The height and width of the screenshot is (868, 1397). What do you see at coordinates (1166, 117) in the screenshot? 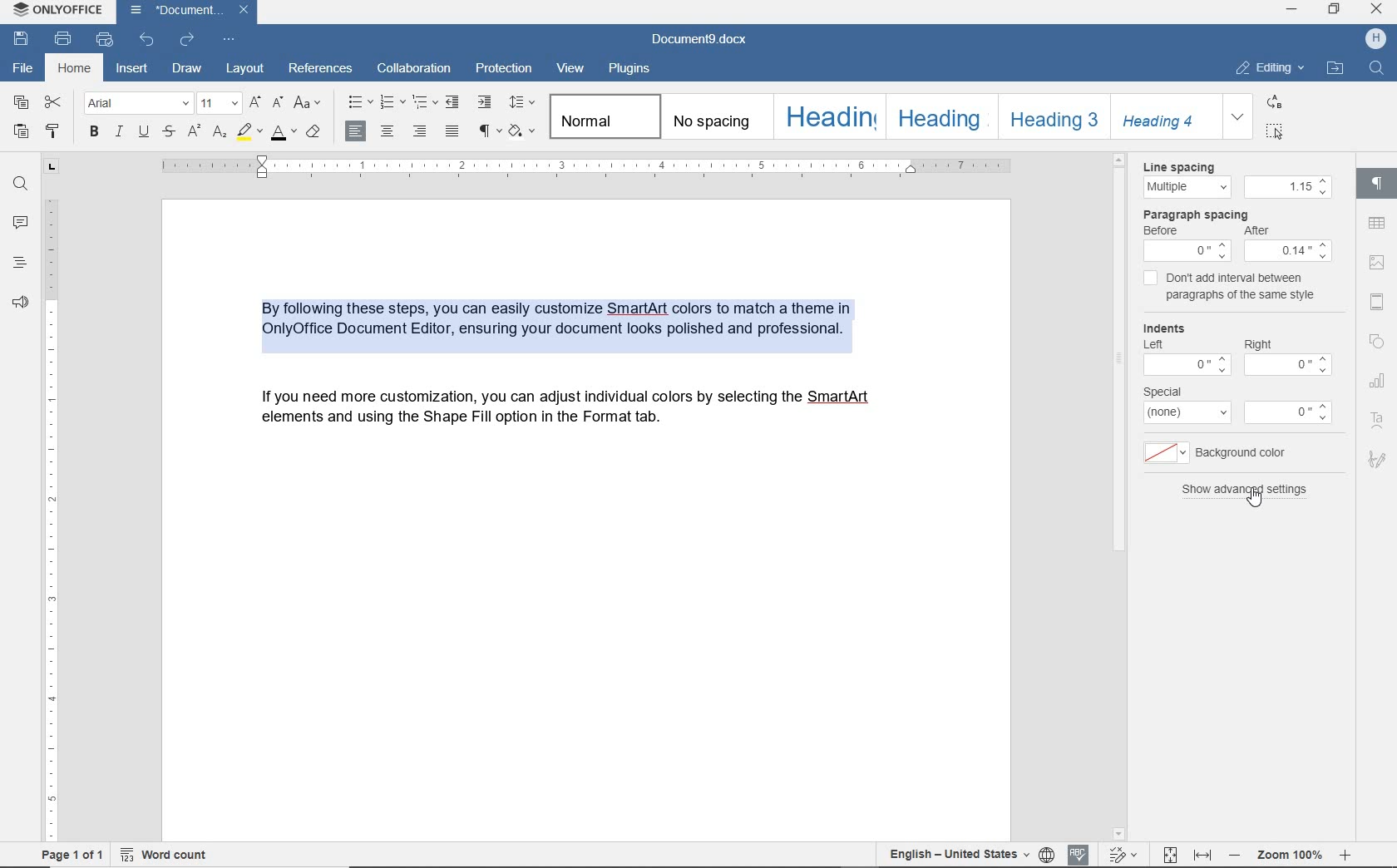
I see `Heading 4` at bounding box center [1166, 117].